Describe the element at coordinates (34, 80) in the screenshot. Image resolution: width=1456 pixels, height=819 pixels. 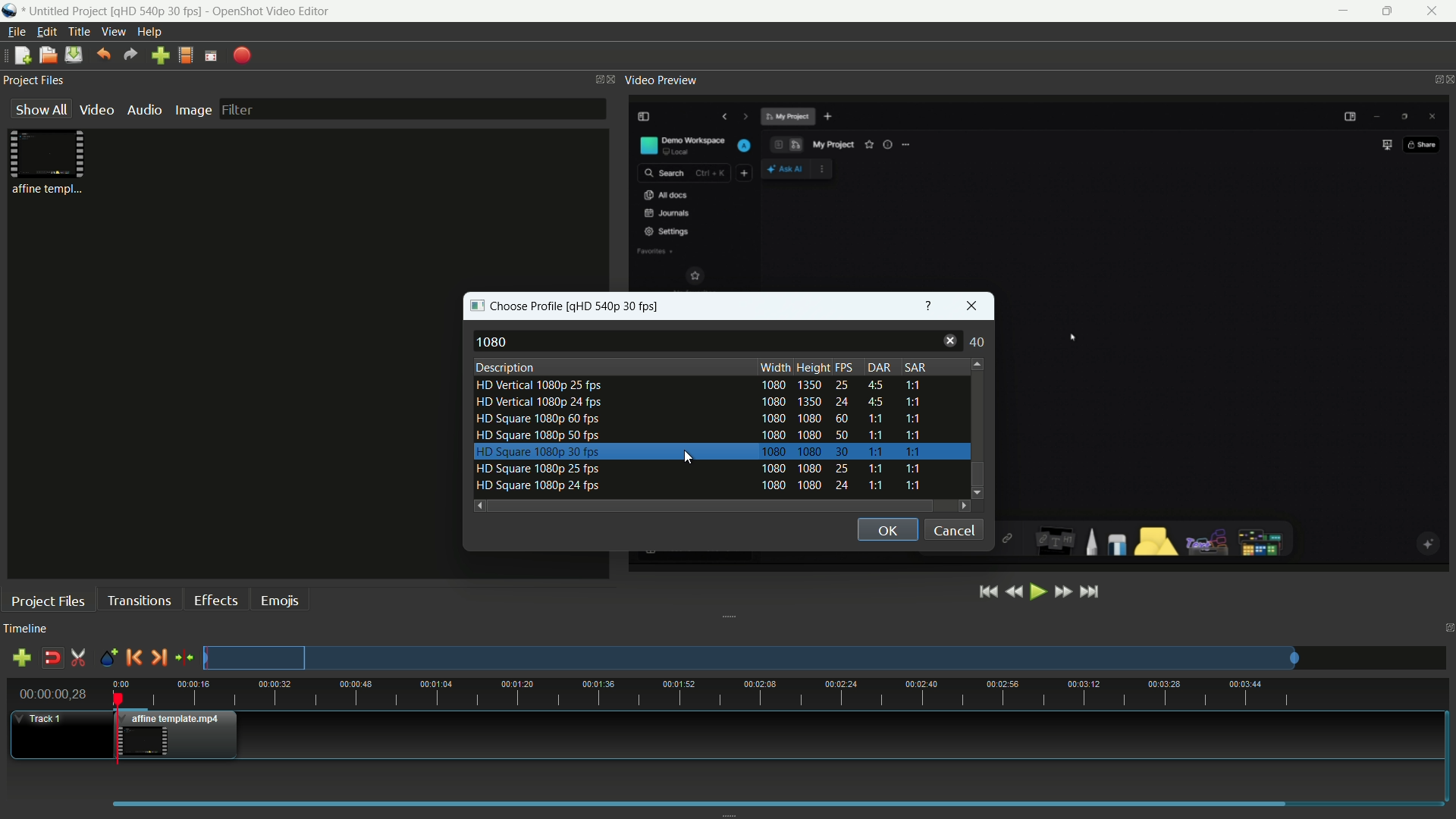
I see `project files` at that location.